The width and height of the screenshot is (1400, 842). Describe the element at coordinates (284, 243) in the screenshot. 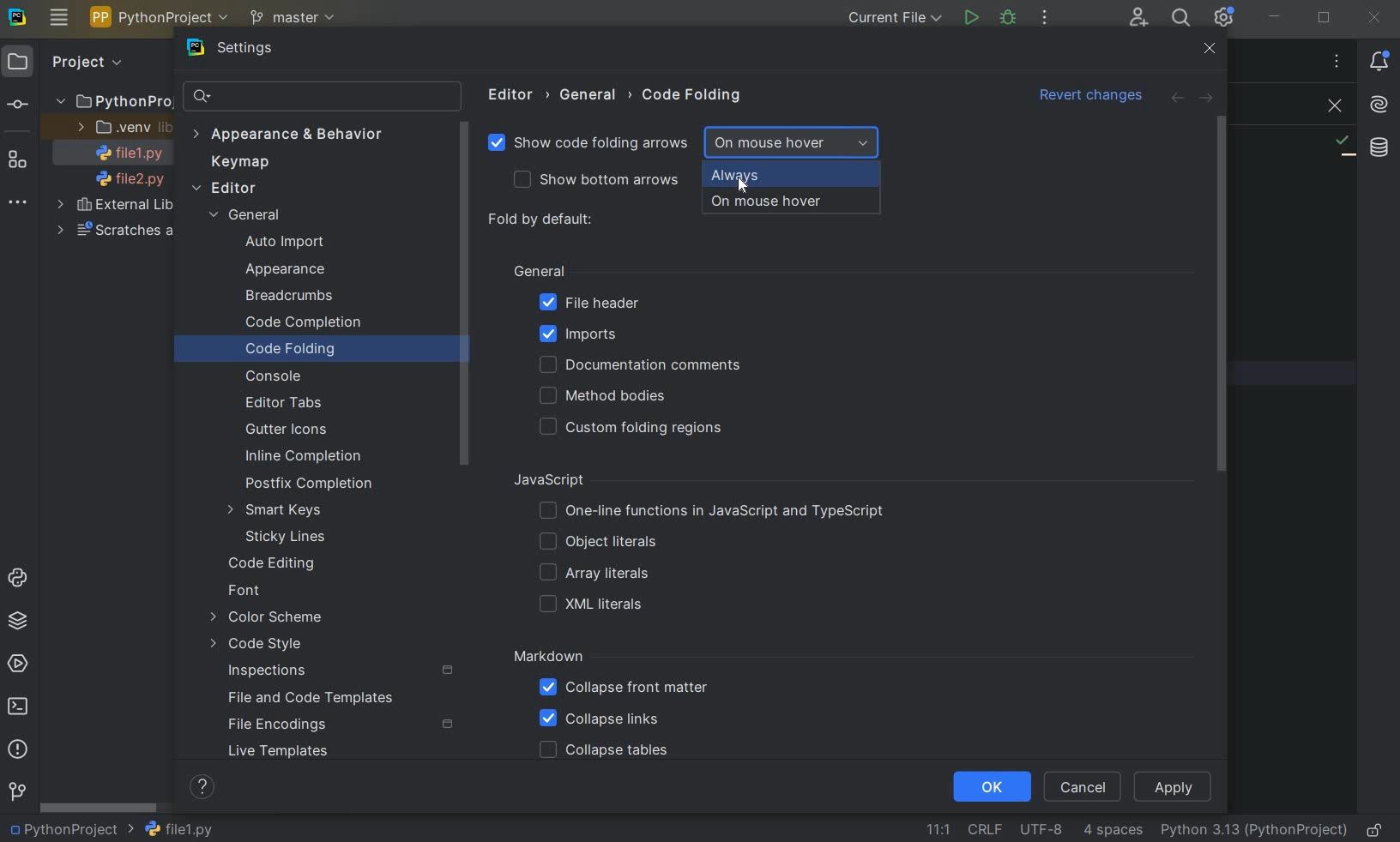

I see `AUTO IMPORT` at that location.